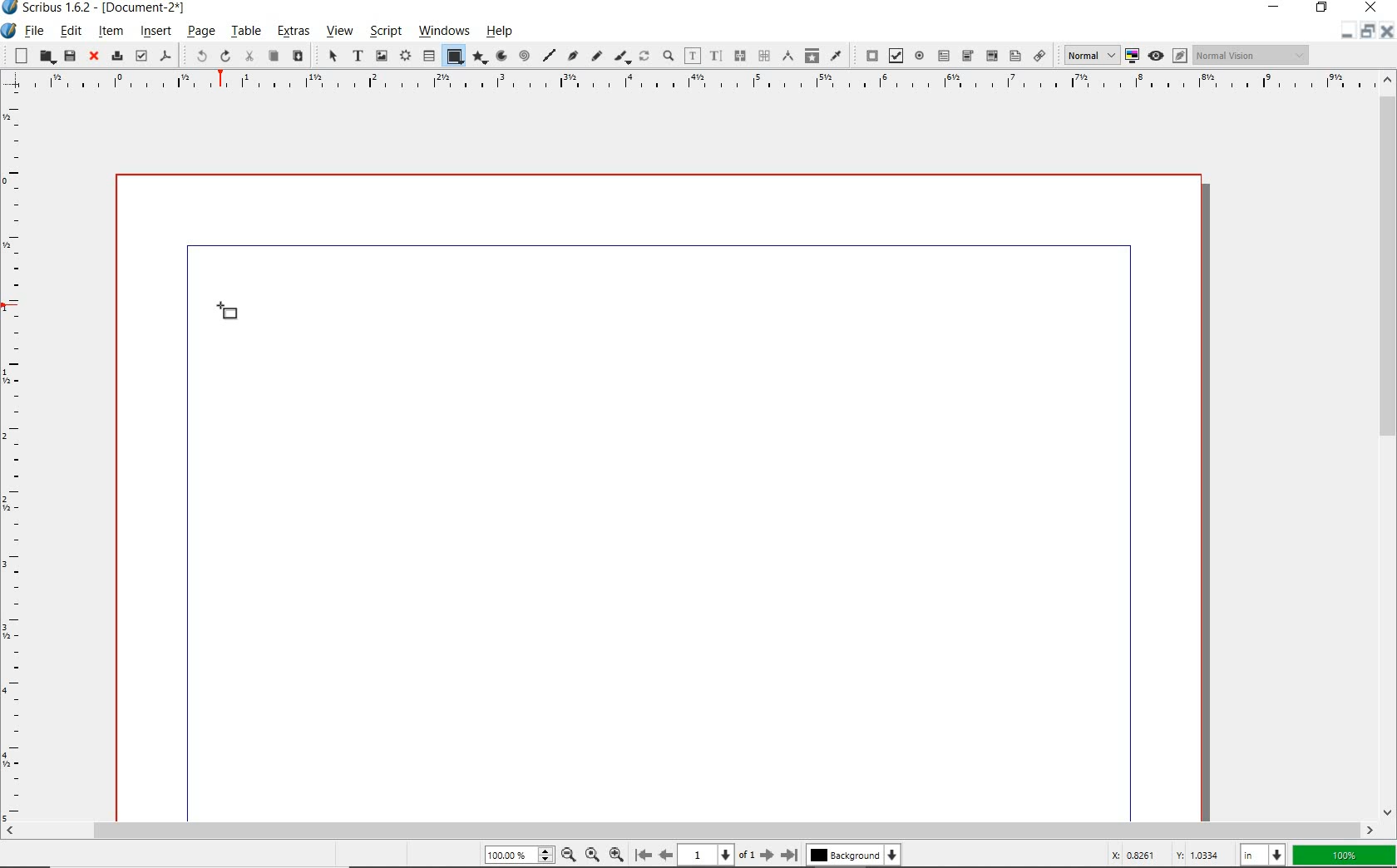 This screenshot has height=868, width=1397. What do you see at coordinates (246, 31) in the screenshot?
I see `table` at bounding box center [246, 31].